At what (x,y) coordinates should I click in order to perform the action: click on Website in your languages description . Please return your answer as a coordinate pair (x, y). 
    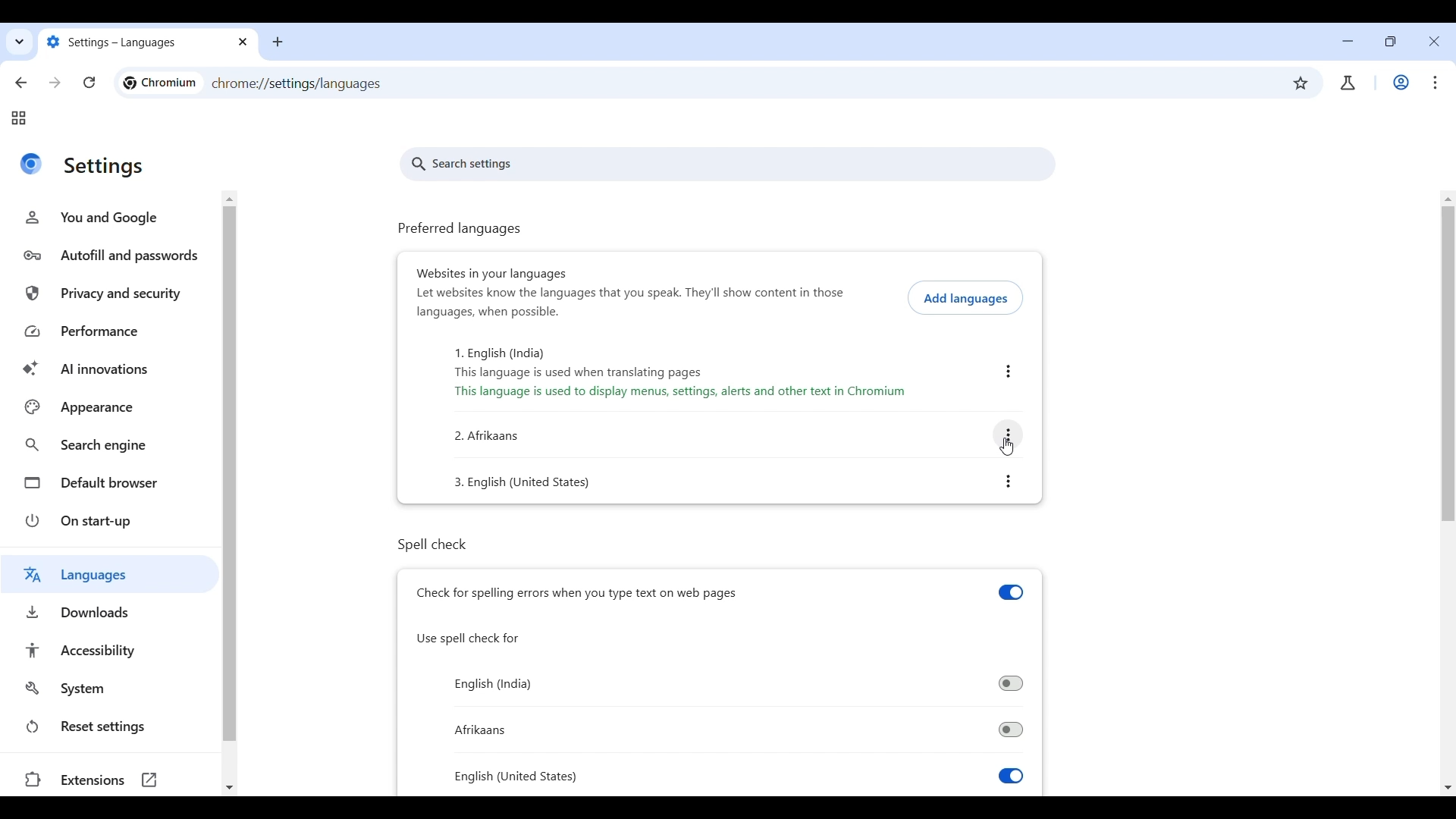
    Looking at the image, I should click on (631, 302).